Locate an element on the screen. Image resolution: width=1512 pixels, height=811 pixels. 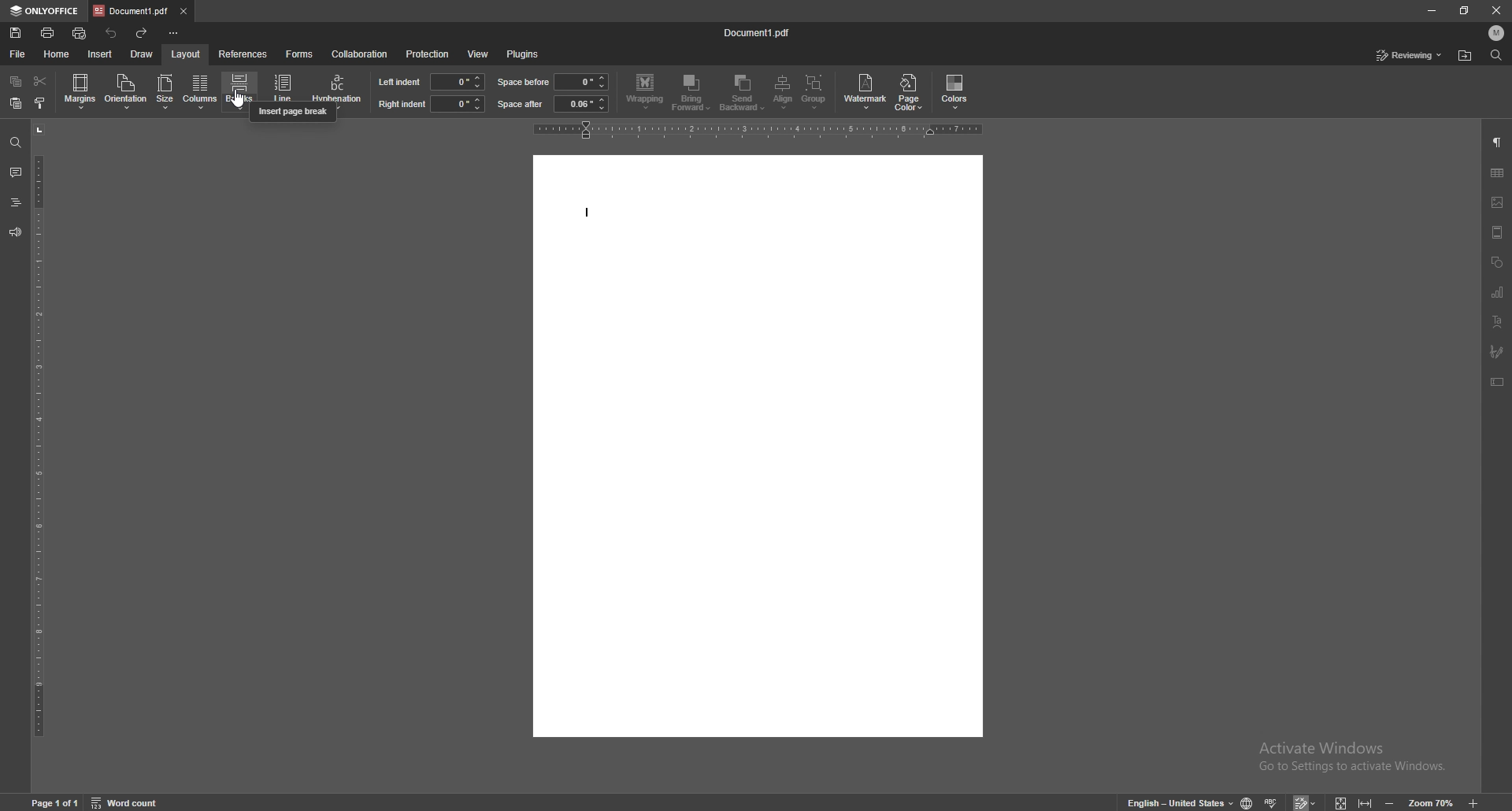
undo is located at coordinates (111, 33).